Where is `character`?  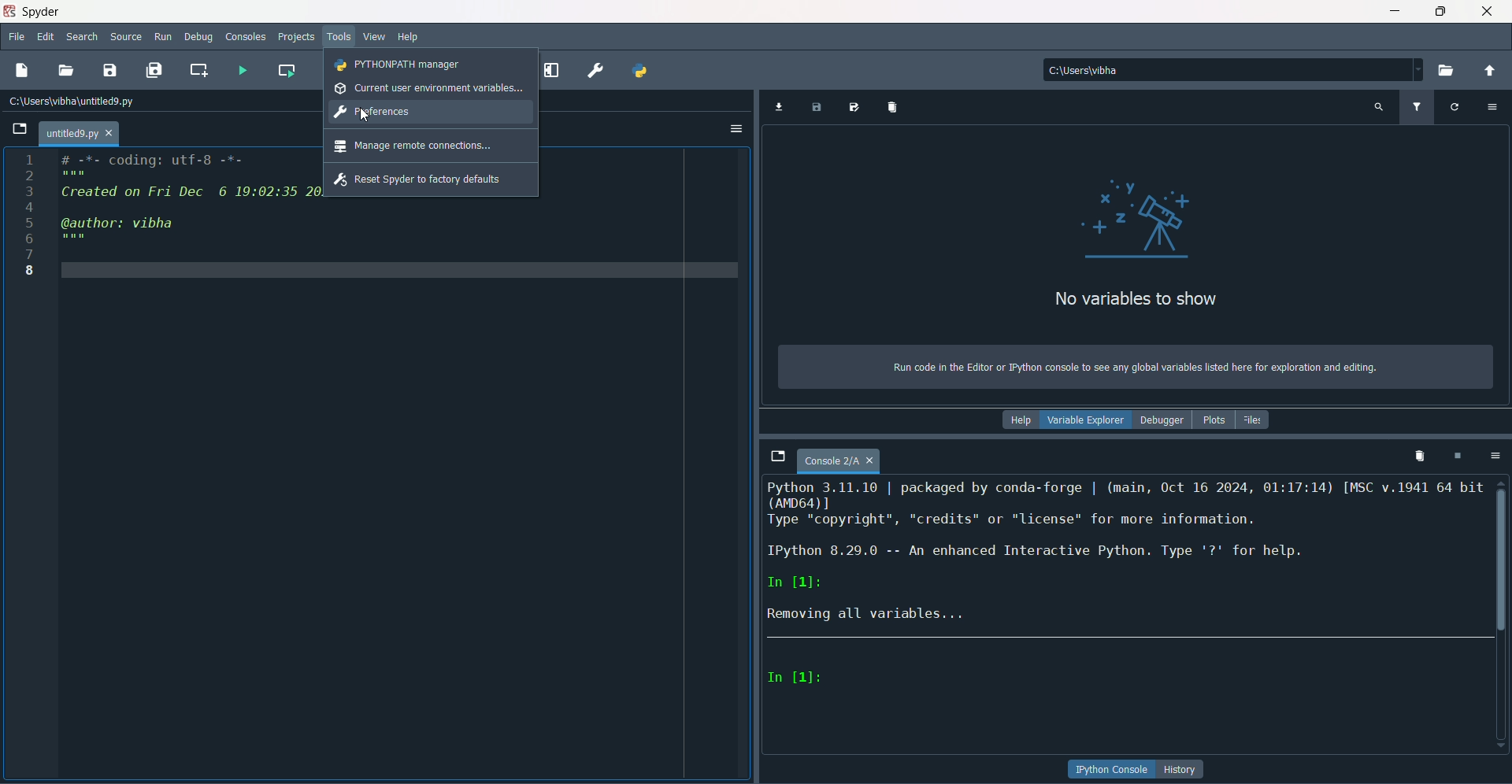
character is located at coordinates (796, 678).